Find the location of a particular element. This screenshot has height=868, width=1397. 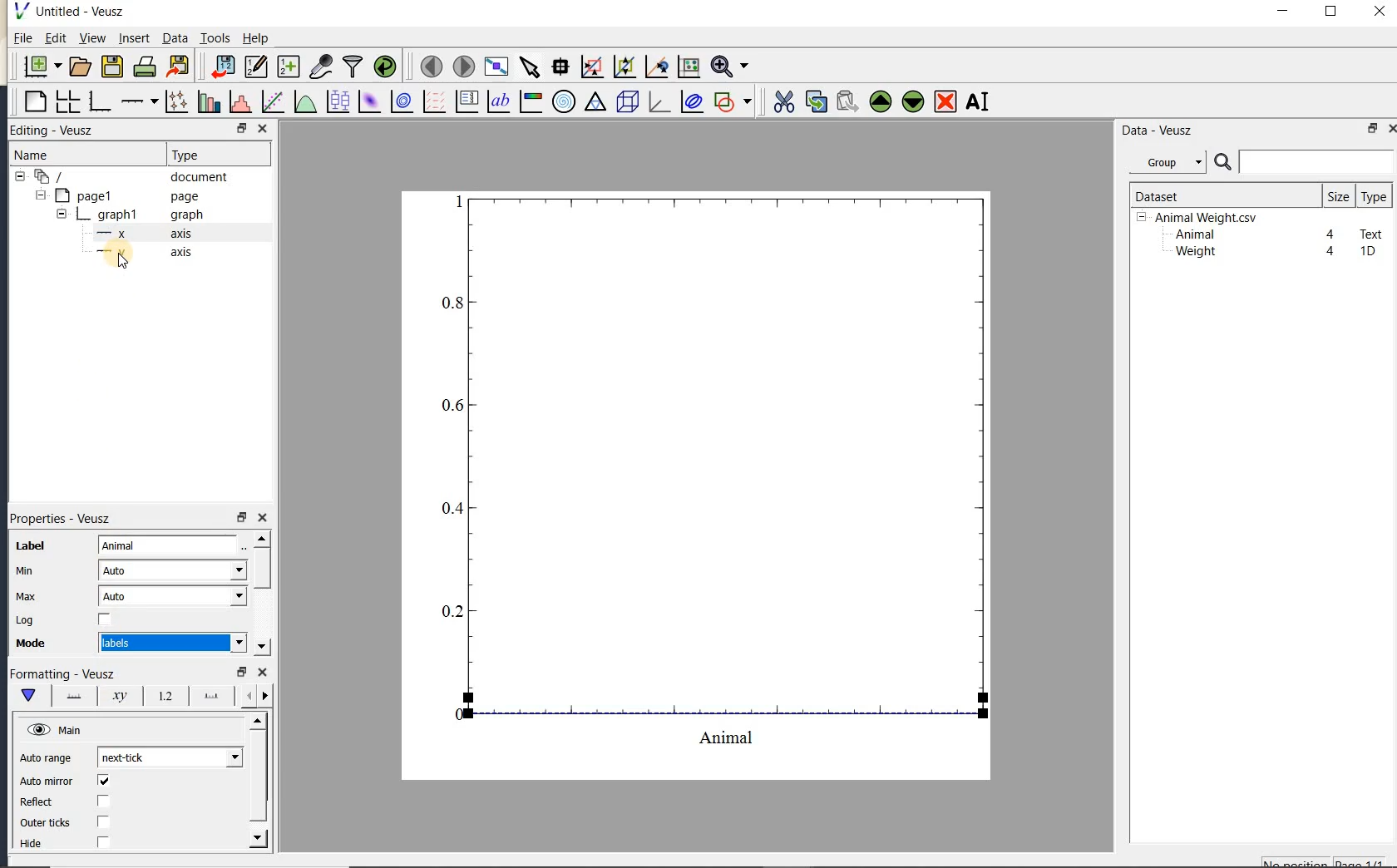

File is located at coordinates (23, 38).